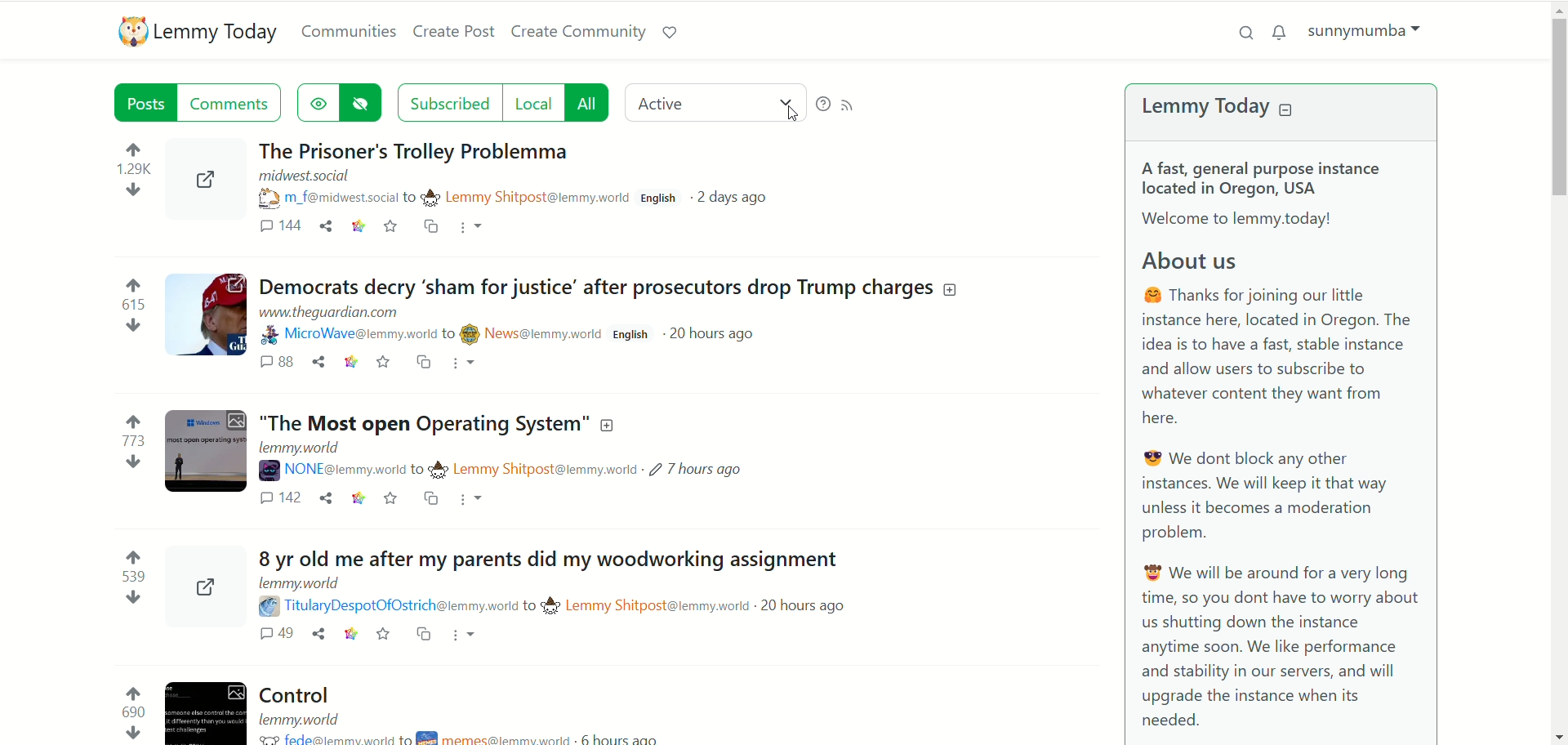 The width and height of the screenshot is (1568, 745). Describe the element at coordinates (613, 289) in the screenshot. I see `Democrats decry ‘sham for justice’ after prosecutors drop Trump charges` at that location.